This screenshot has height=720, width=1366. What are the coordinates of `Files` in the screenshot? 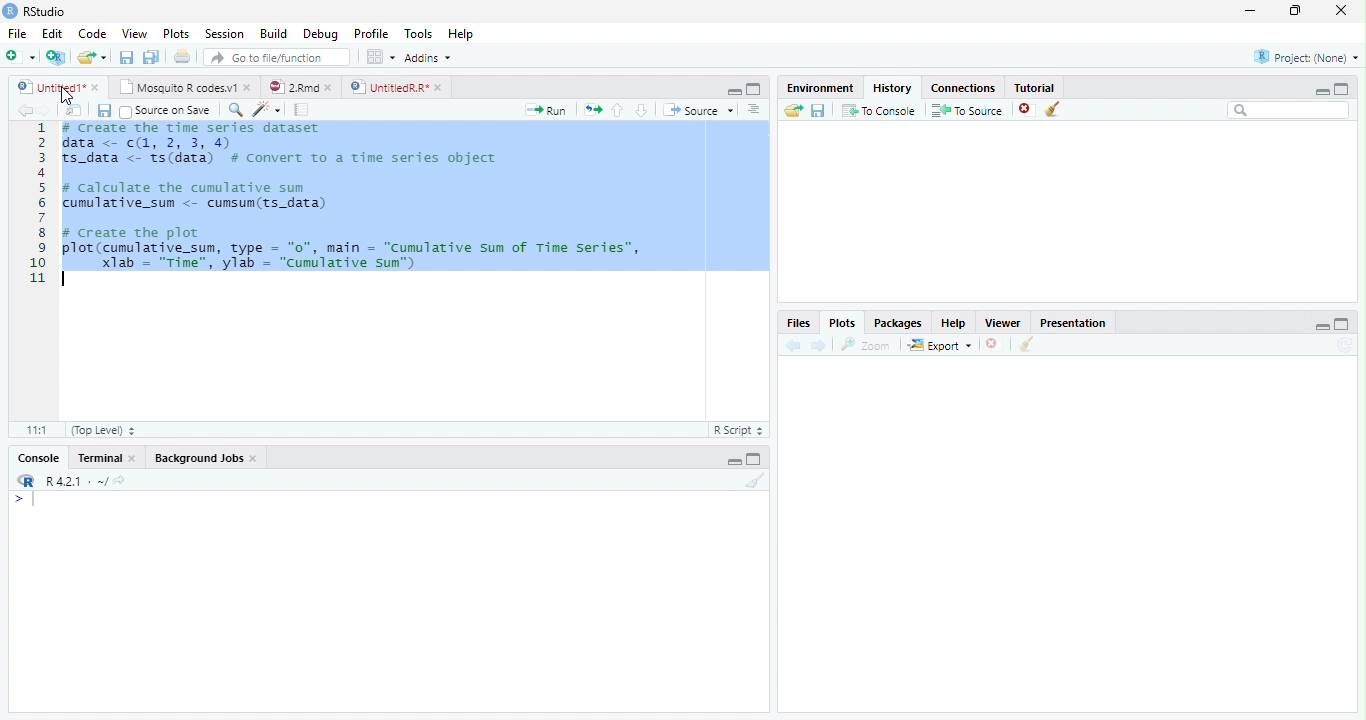 It's located at (802, 323).